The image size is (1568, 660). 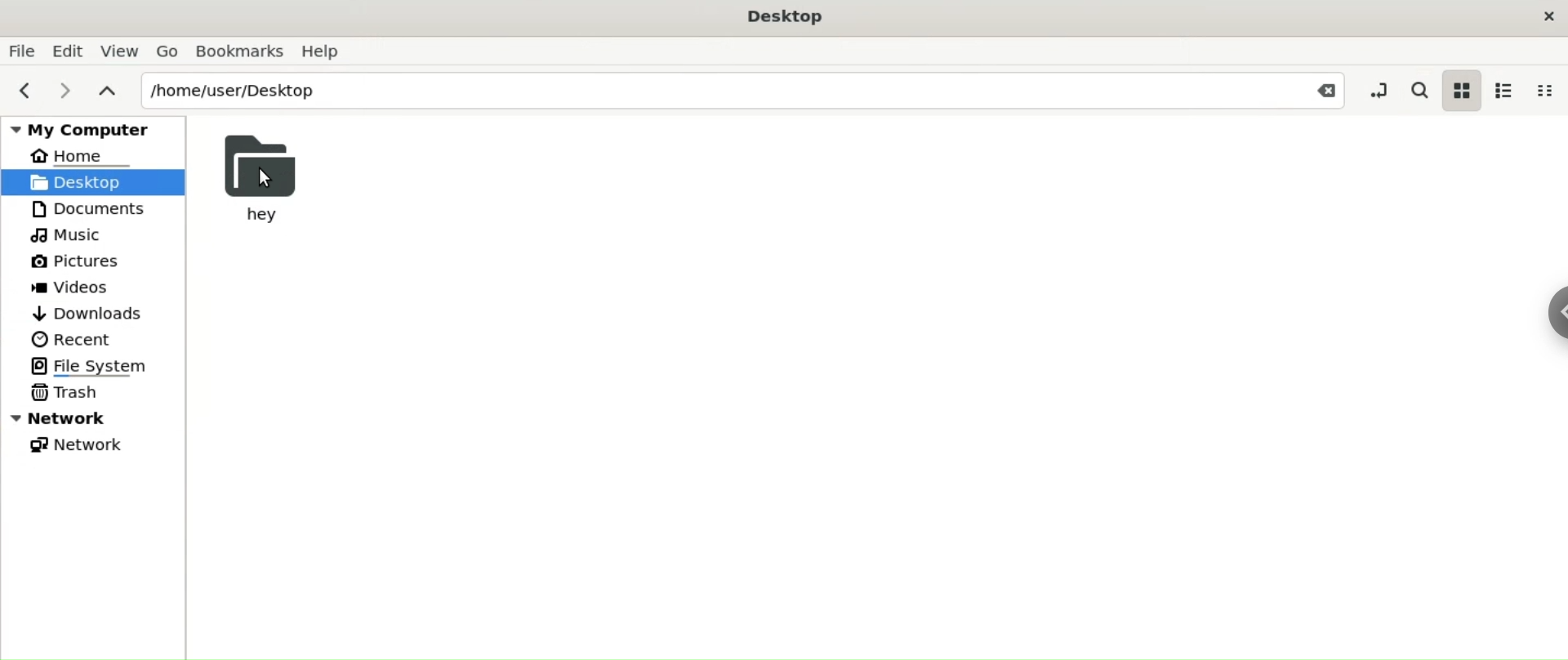 I want to click on Pictures, so click(x=82, y=264).